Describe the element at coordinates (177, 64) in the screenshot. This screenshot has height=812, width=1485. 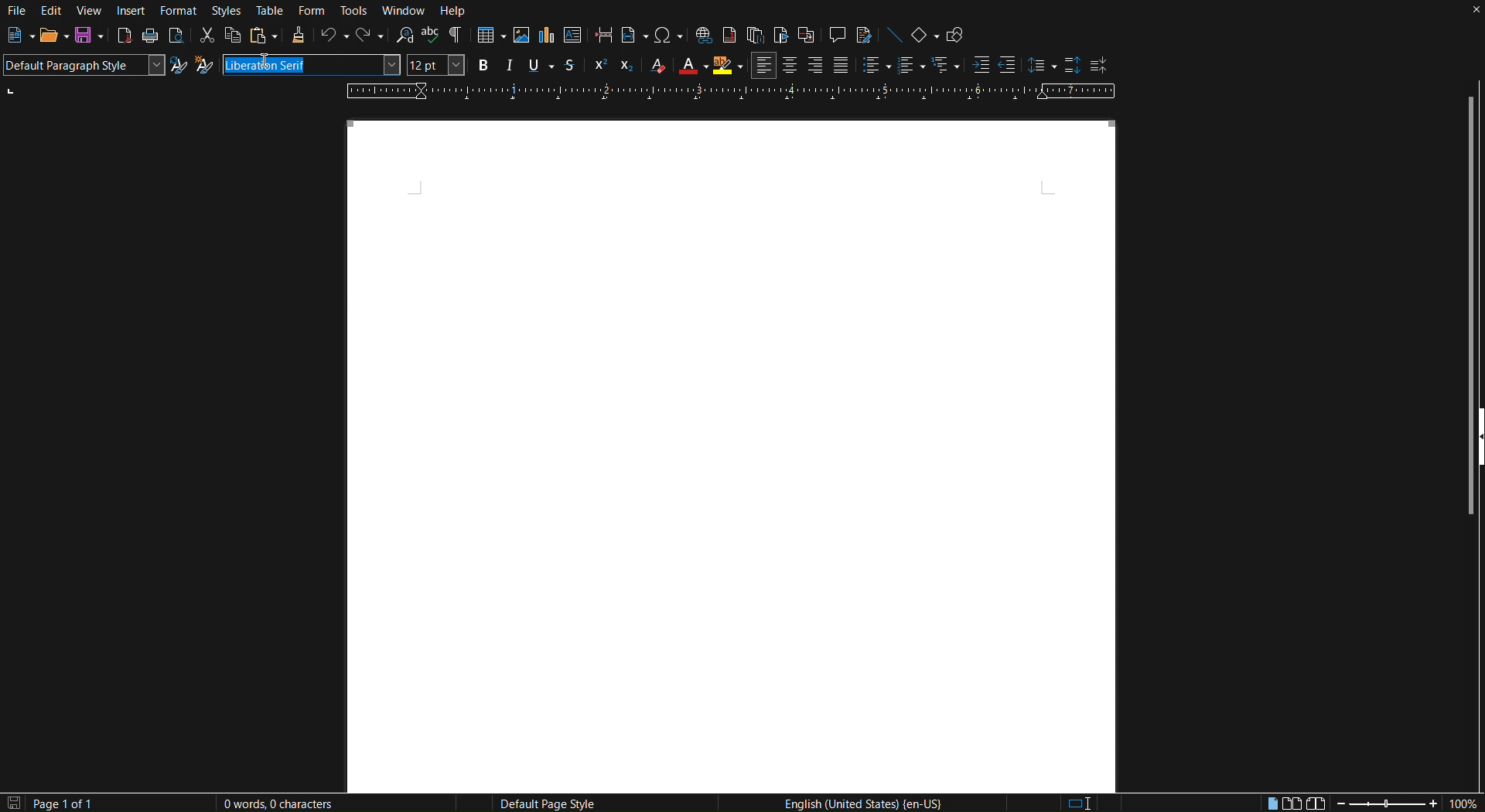
I see `Update Selected Style` at that location.